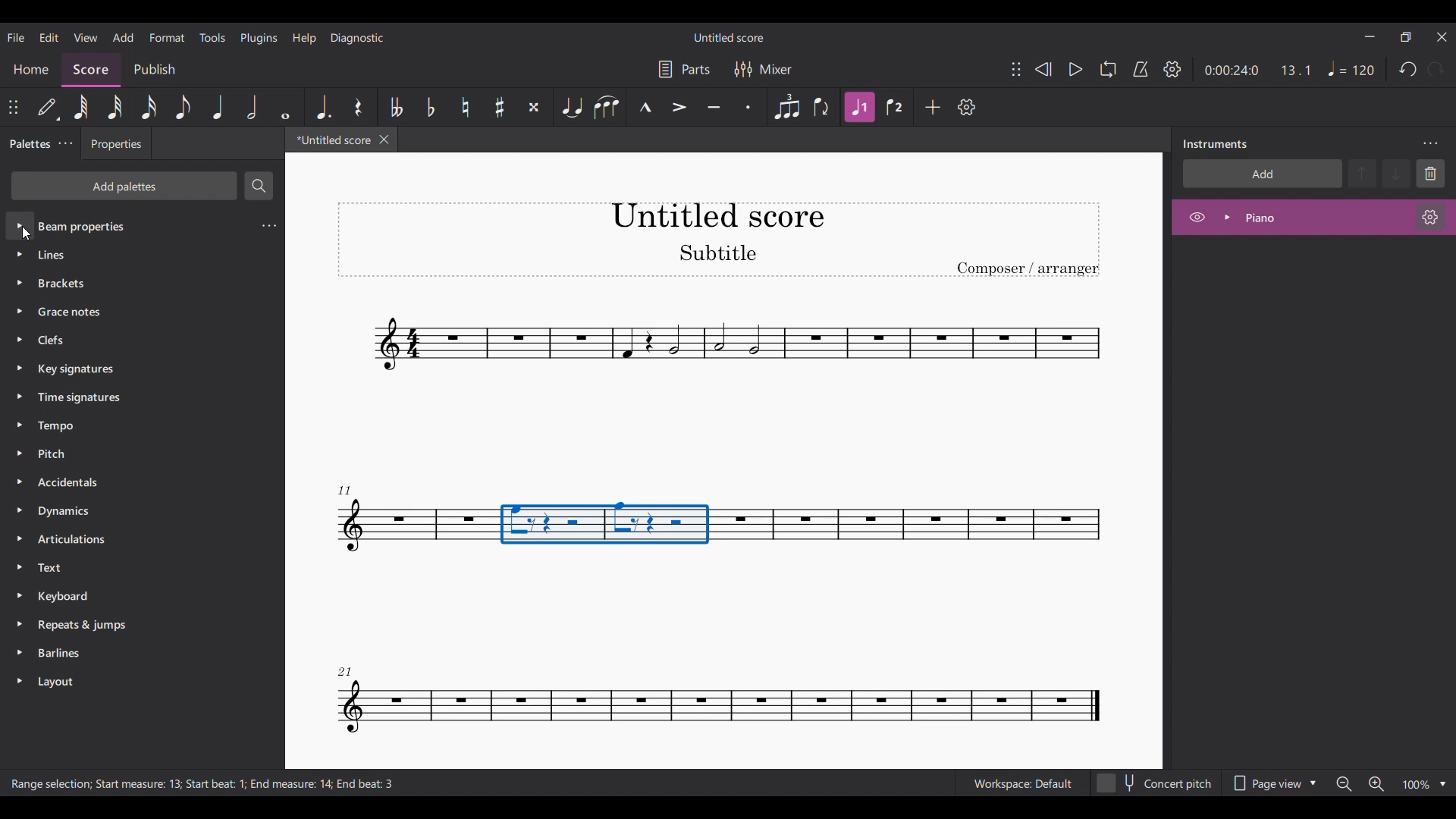  Describe the element at coordinates (1364, 172) in the screenshot. I see `Move selected instrument up` at that location.